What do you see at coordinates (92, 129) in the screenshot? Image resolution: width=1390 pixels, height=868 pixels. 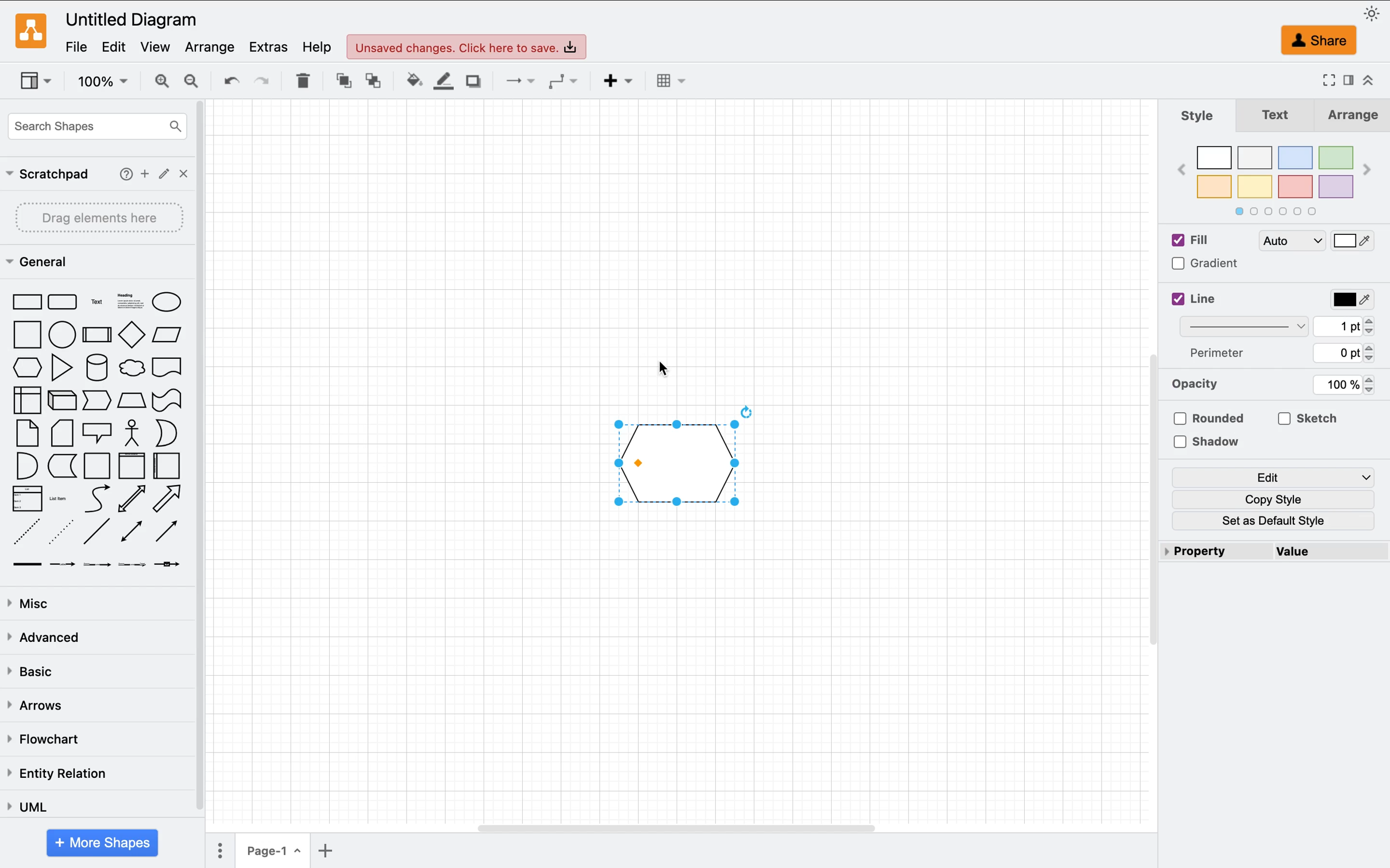 I see `search shapes` at bounding box center [92, 129].